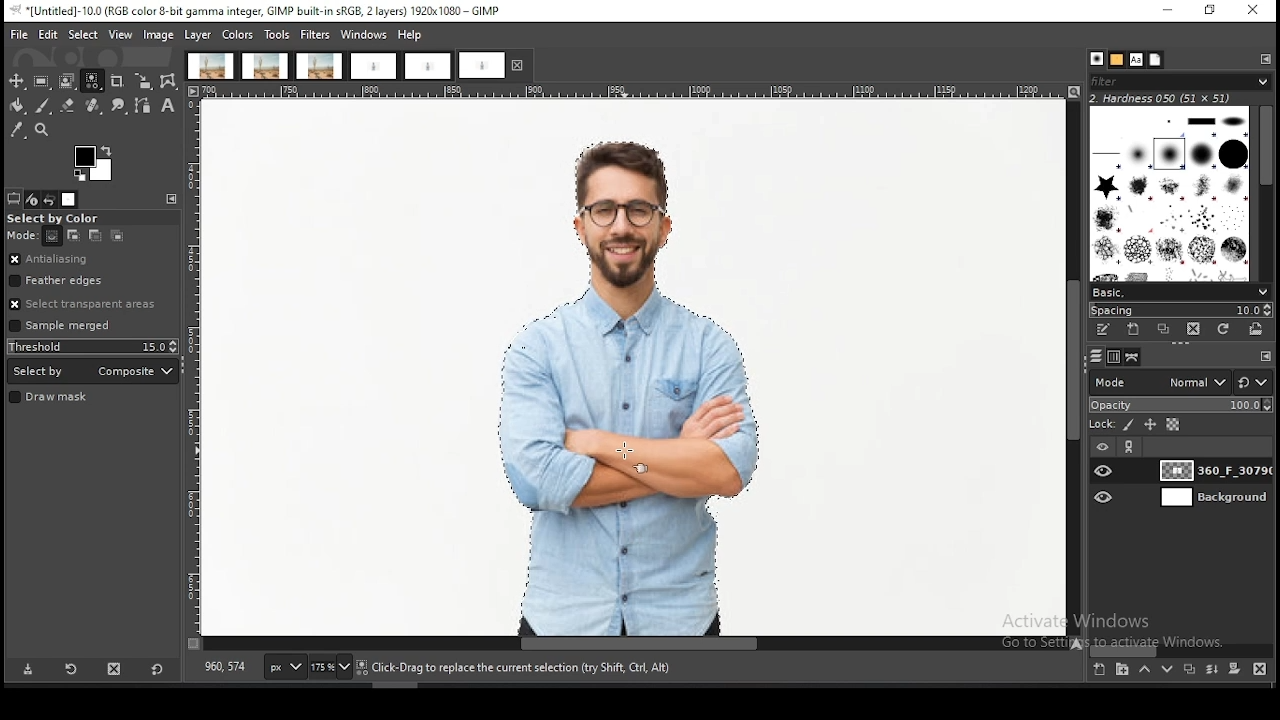  Describe the element at coordinates (93, 346) in the screenshot. I see `threshold` at that location.